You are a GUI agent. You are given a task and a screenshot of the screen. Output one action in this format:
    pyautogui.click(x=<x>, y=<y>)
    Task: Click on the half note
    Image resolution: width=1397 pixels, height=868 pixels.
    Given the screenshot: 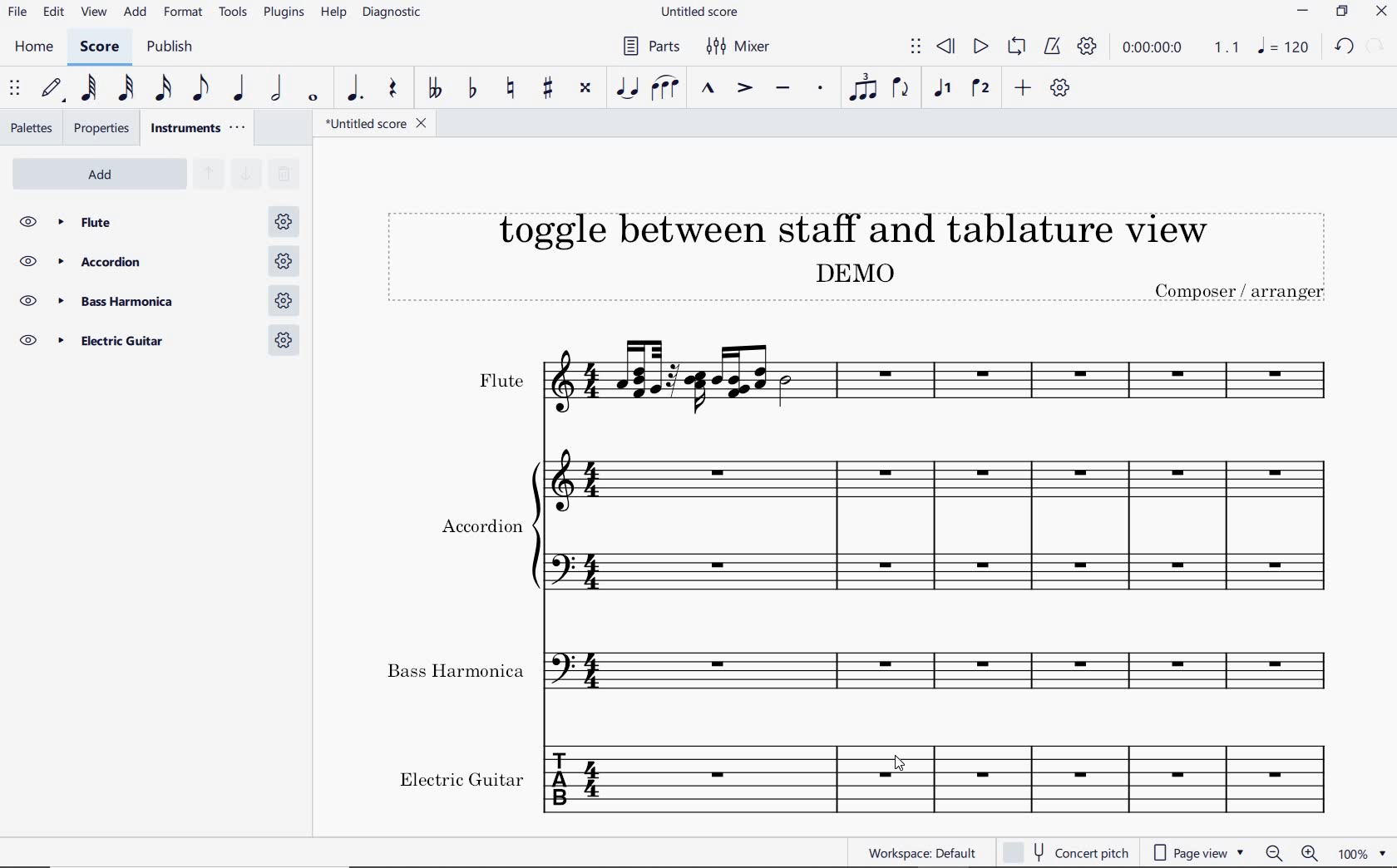 What is the action you would take?
    pyautogui.click(x=279, y=89)
    